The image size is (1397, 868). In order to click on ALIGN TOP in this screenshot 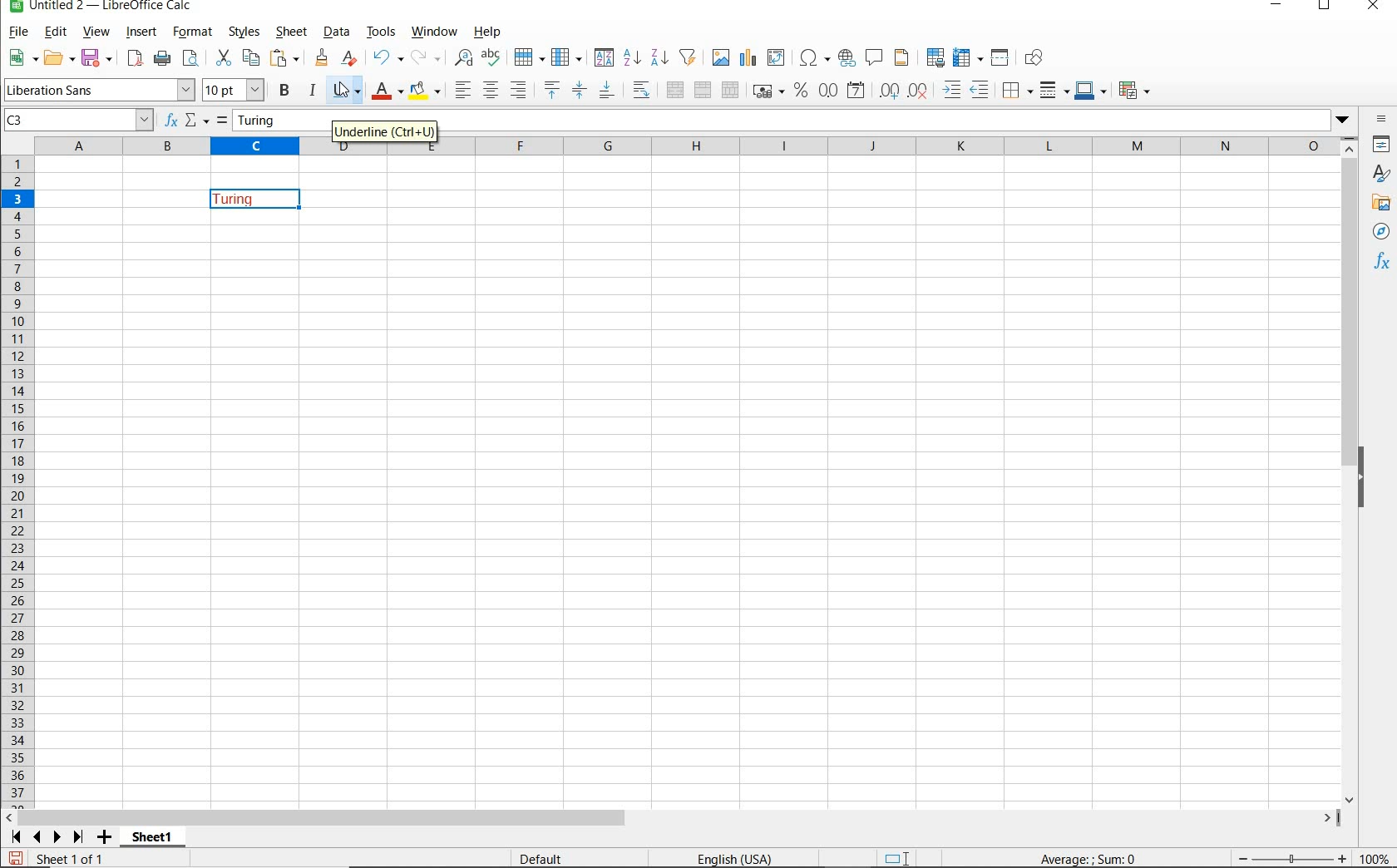, I will do `click(550, 91)`.